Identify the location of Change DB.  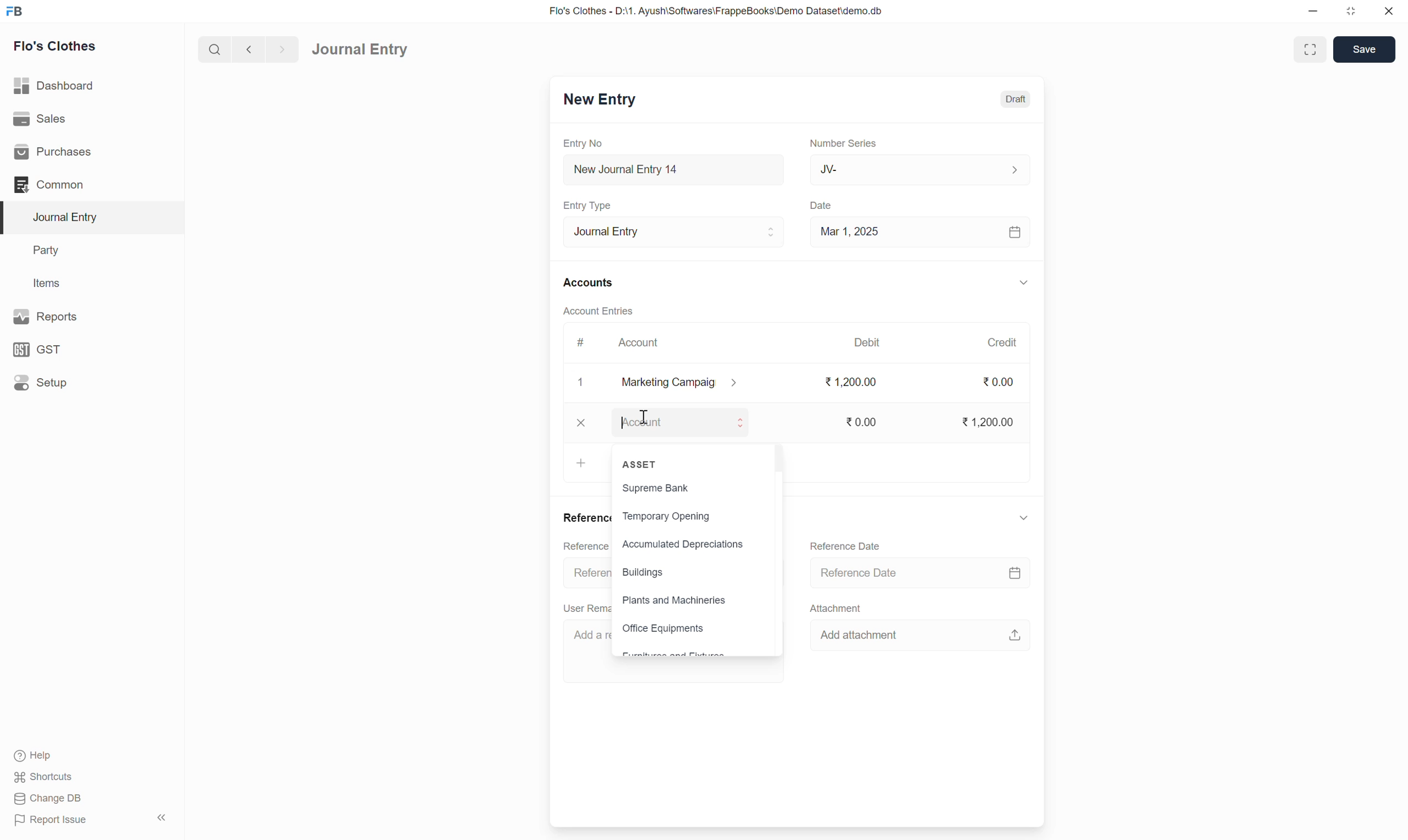
(48, 798).